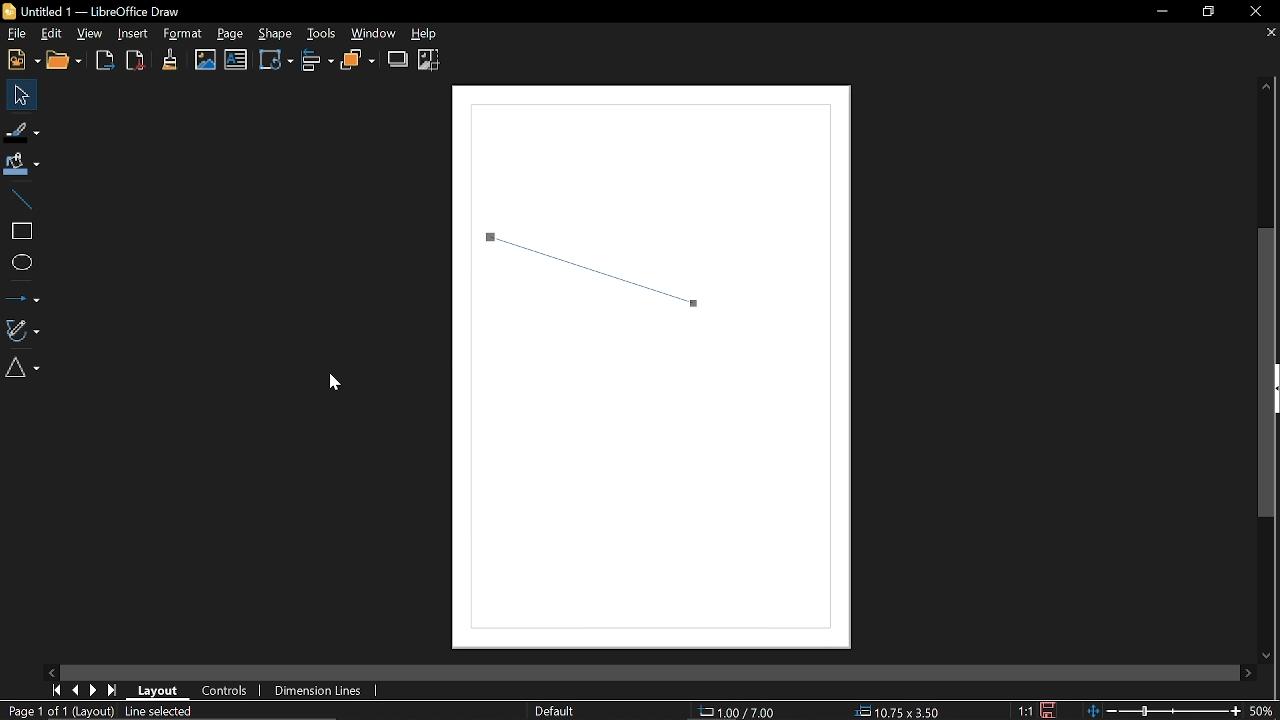  What do you see at coordinates (274, 62) in the screenshot?
I see `transformation` at bounding box center [274, 62].